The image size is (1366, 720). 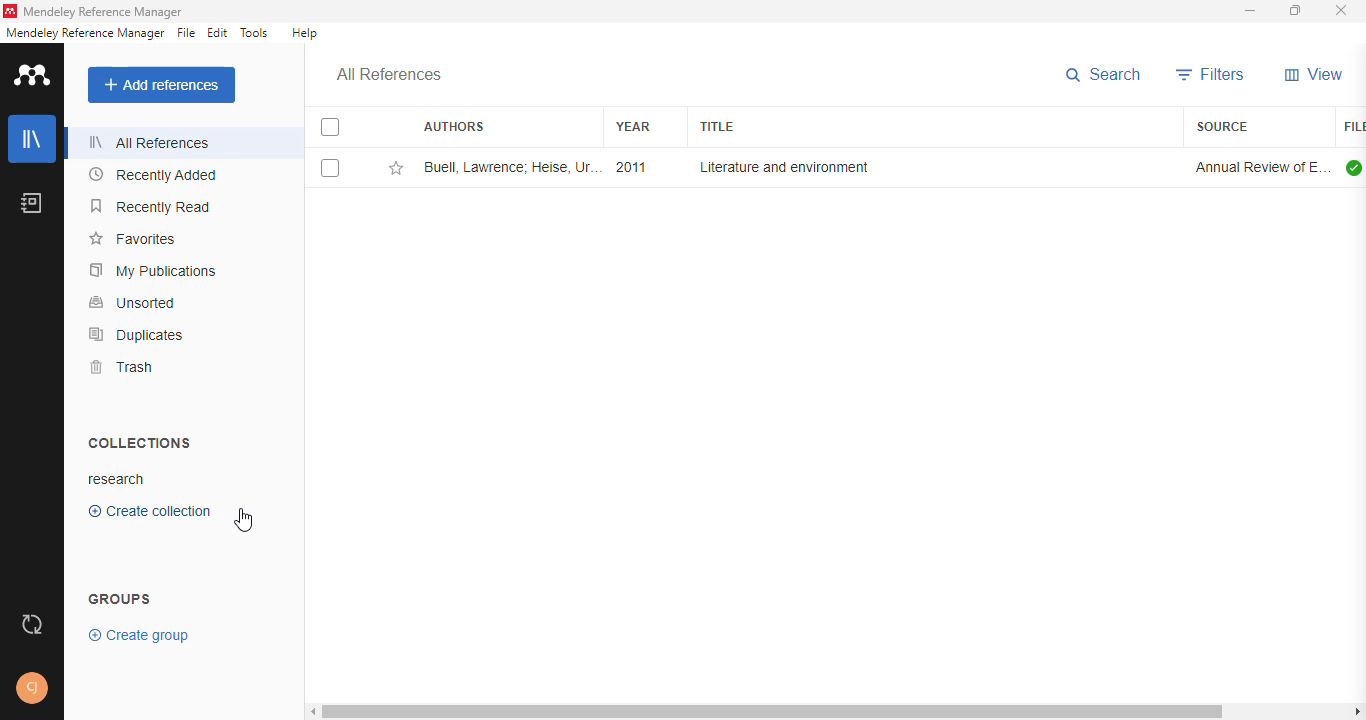 What do you see at coordinates (120, 599) in the screenshot?
I see `groups` at bounding box center [120, 599].